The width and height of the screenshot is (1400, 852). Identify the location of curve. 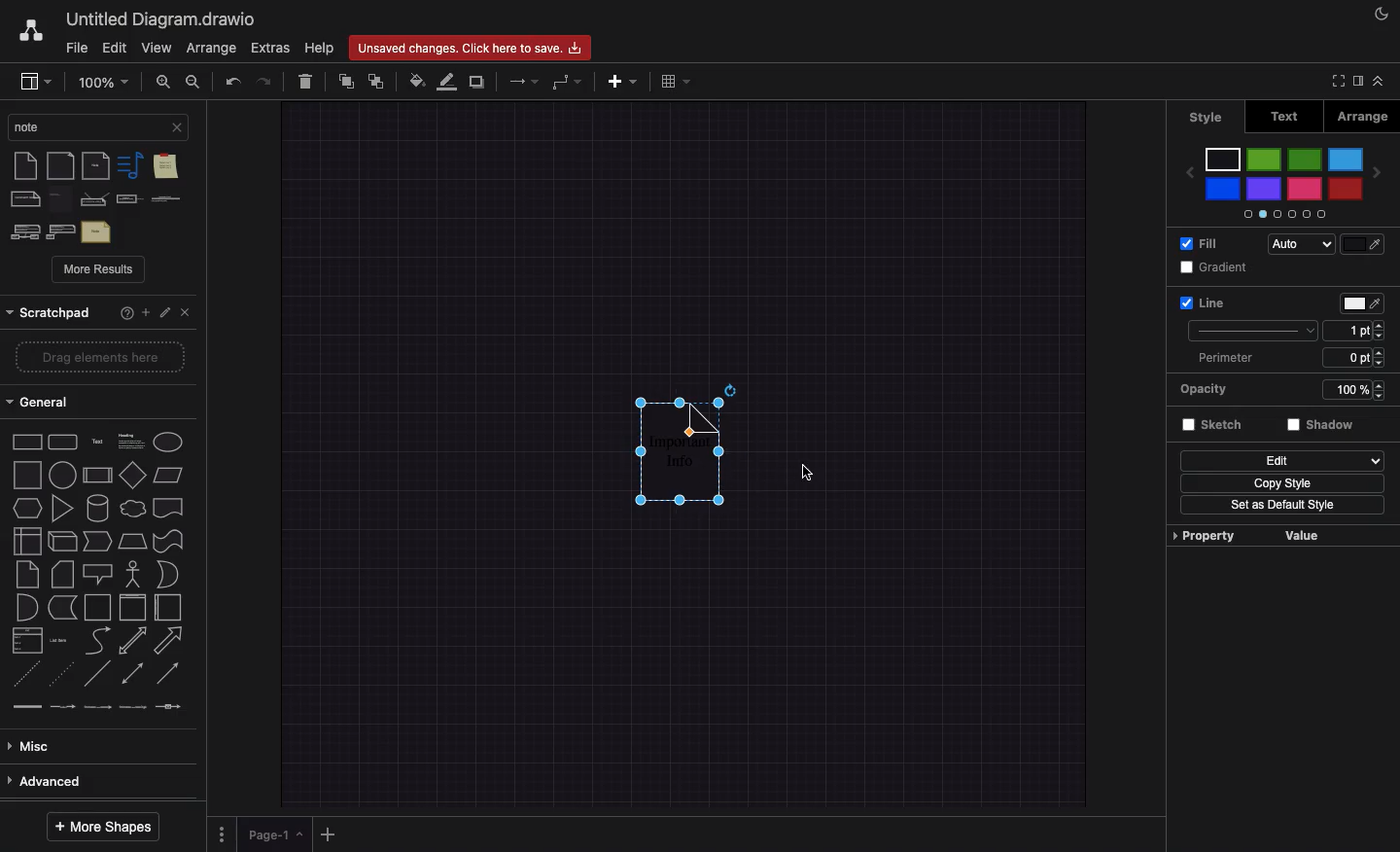
(97, 642).